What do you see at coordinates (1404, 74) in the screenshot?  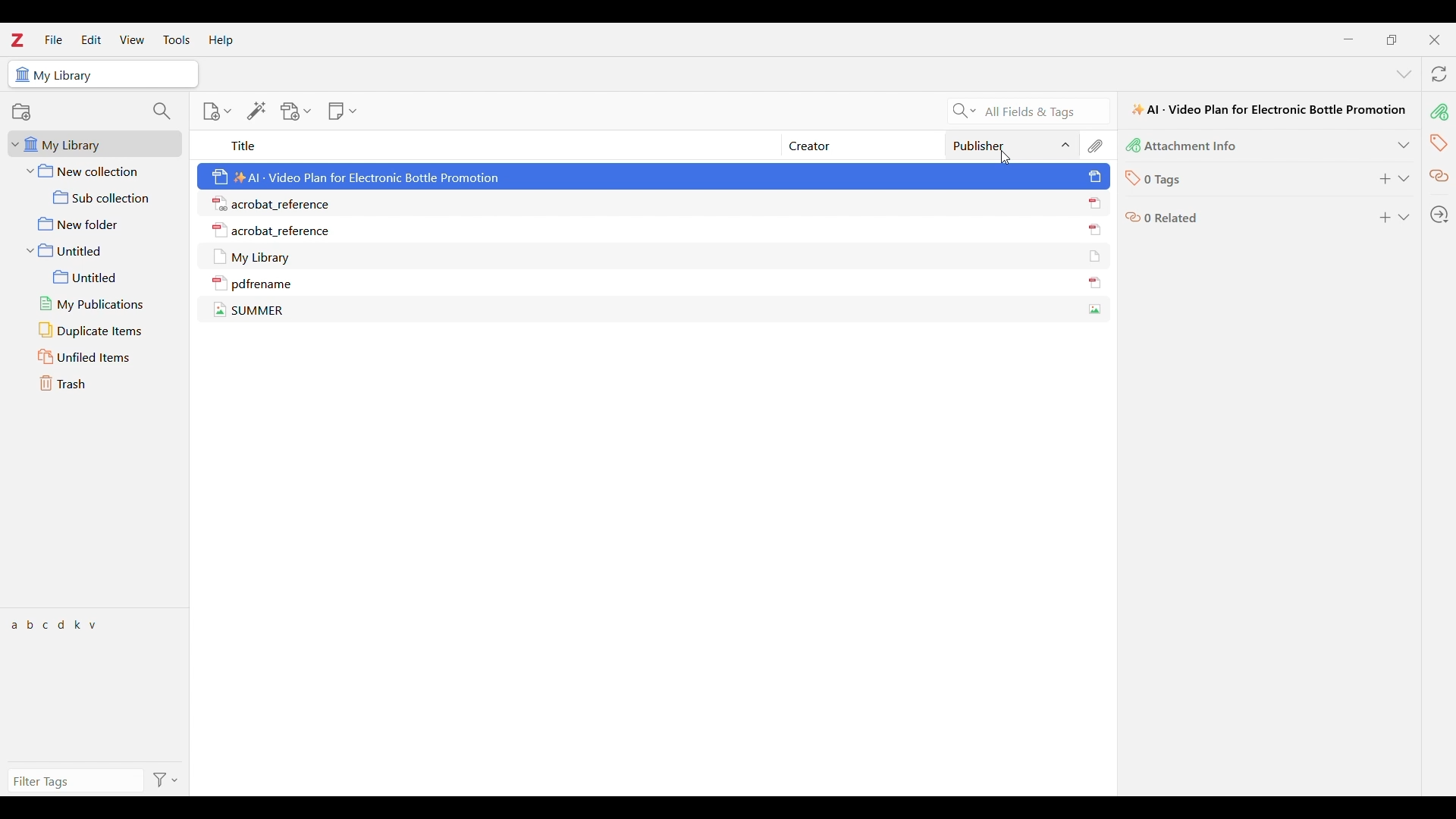 I see `List all tabs` at bounding box center [1404, 74].